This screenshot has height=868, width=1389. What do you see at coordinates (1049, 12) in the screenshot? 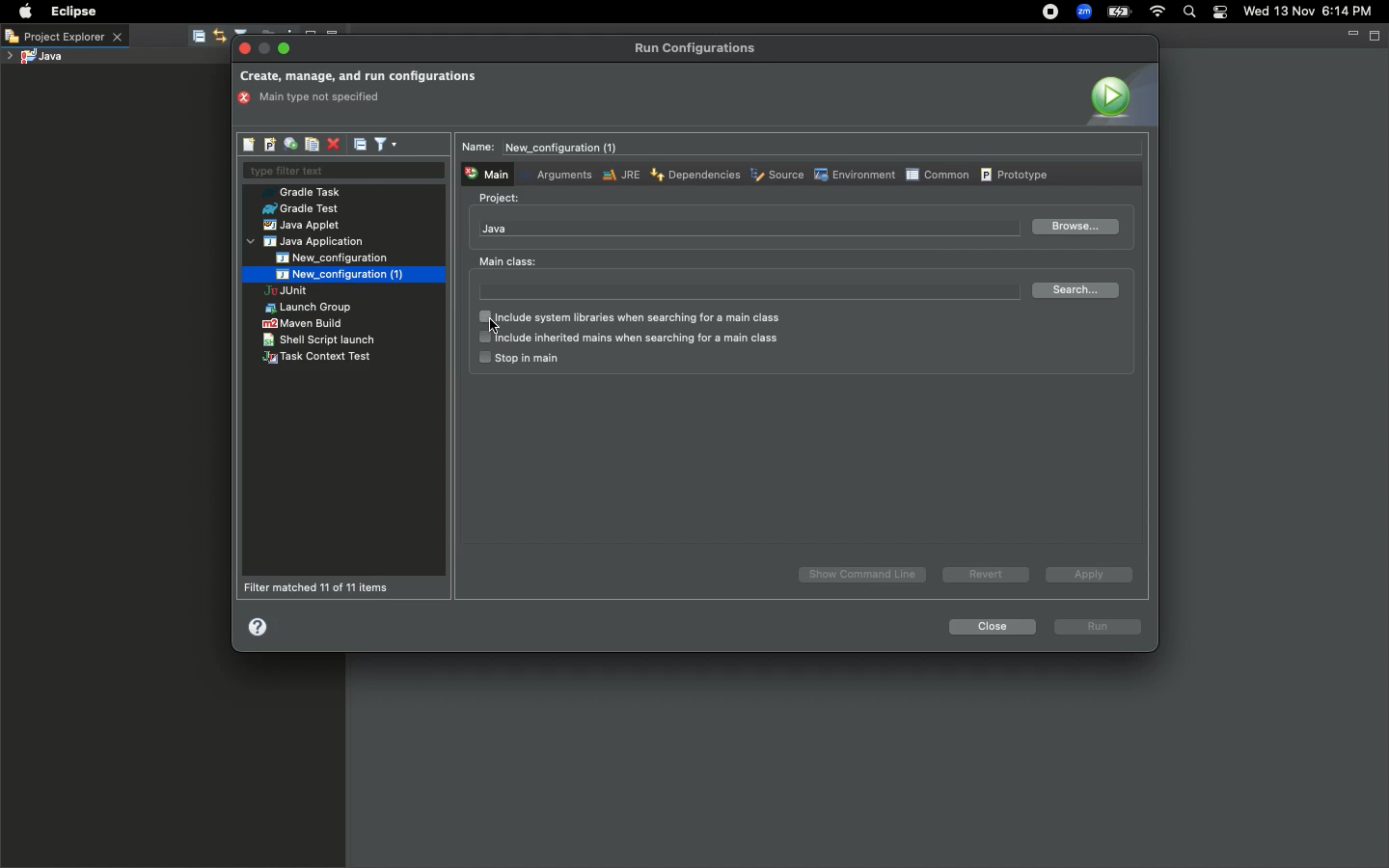
I see `Recording` at bounding box center [1049, 12].